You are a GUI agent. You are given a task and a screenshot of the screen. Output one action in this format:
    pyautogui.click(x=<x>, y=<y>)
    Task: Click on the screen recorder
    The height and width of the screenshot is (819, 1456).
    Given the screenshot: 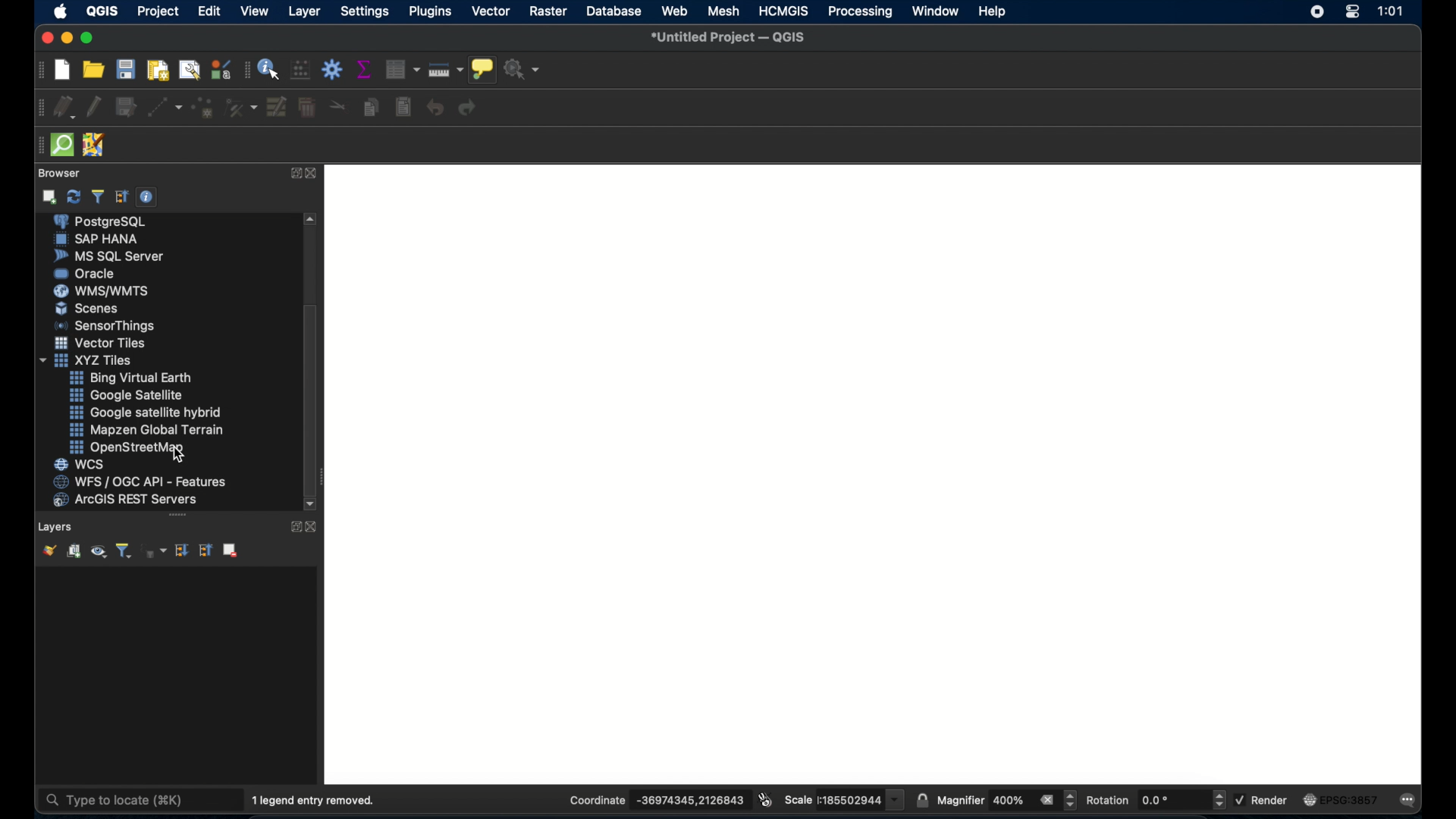 What is the action you would take?
    pyautogui.click(x=1315, y=11)
    